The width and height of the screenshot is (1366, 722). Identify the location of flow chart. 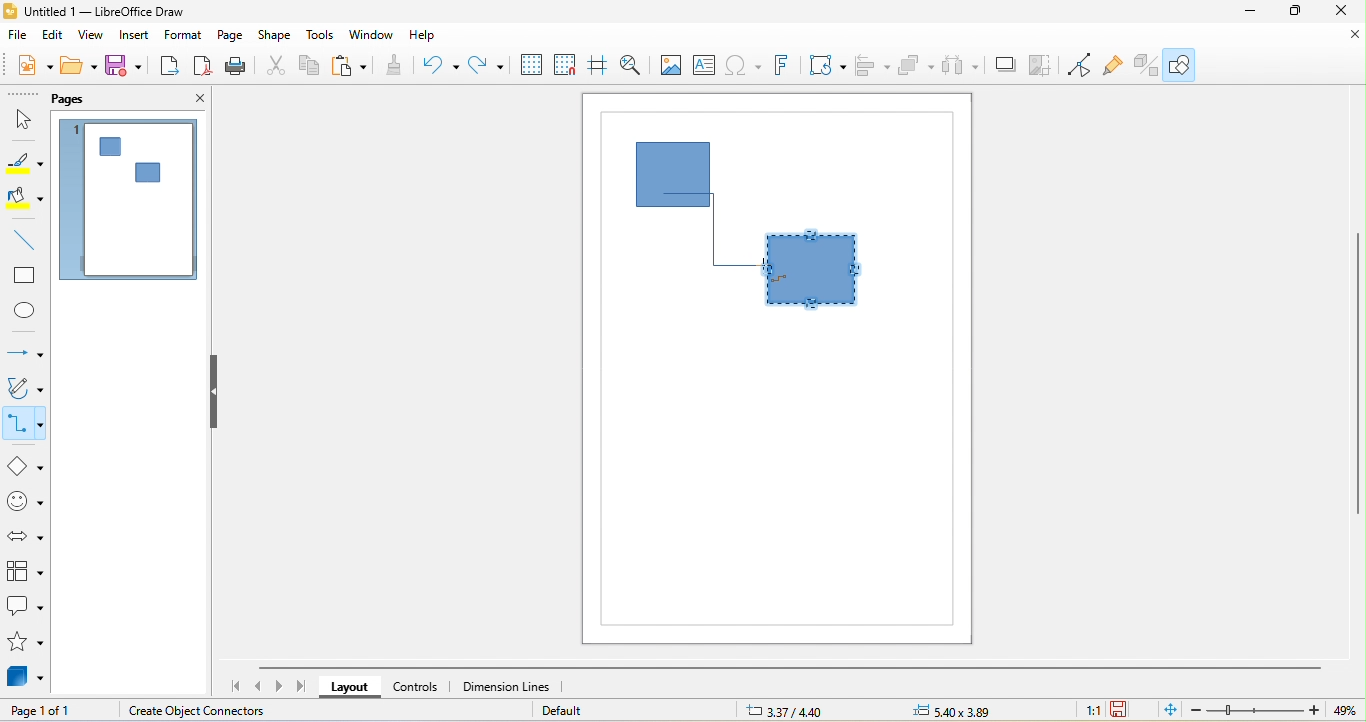
(27, 572).